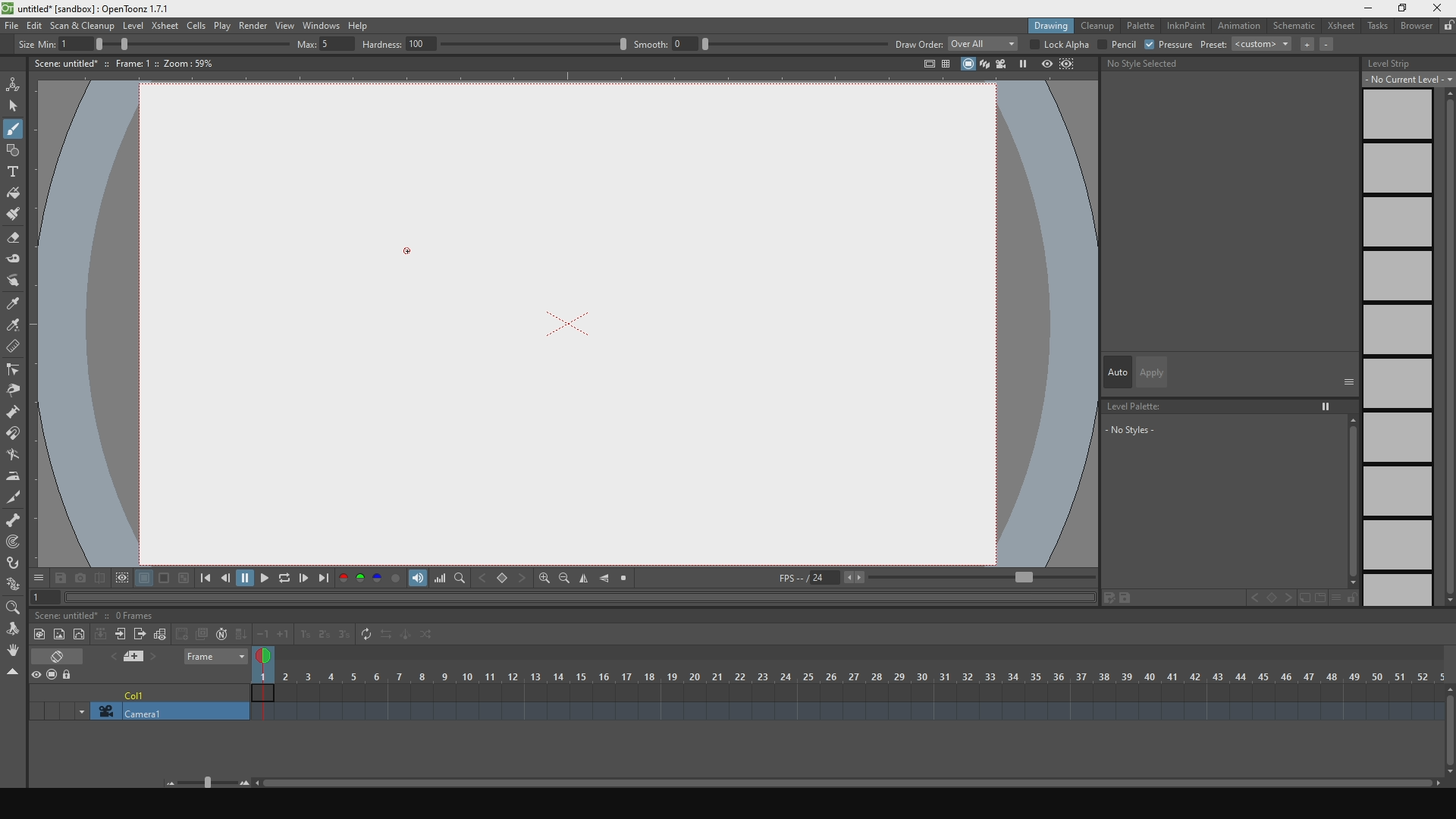 This screenshot has height=819, width=1456. I want to click on maximize, so click(1403, 9).